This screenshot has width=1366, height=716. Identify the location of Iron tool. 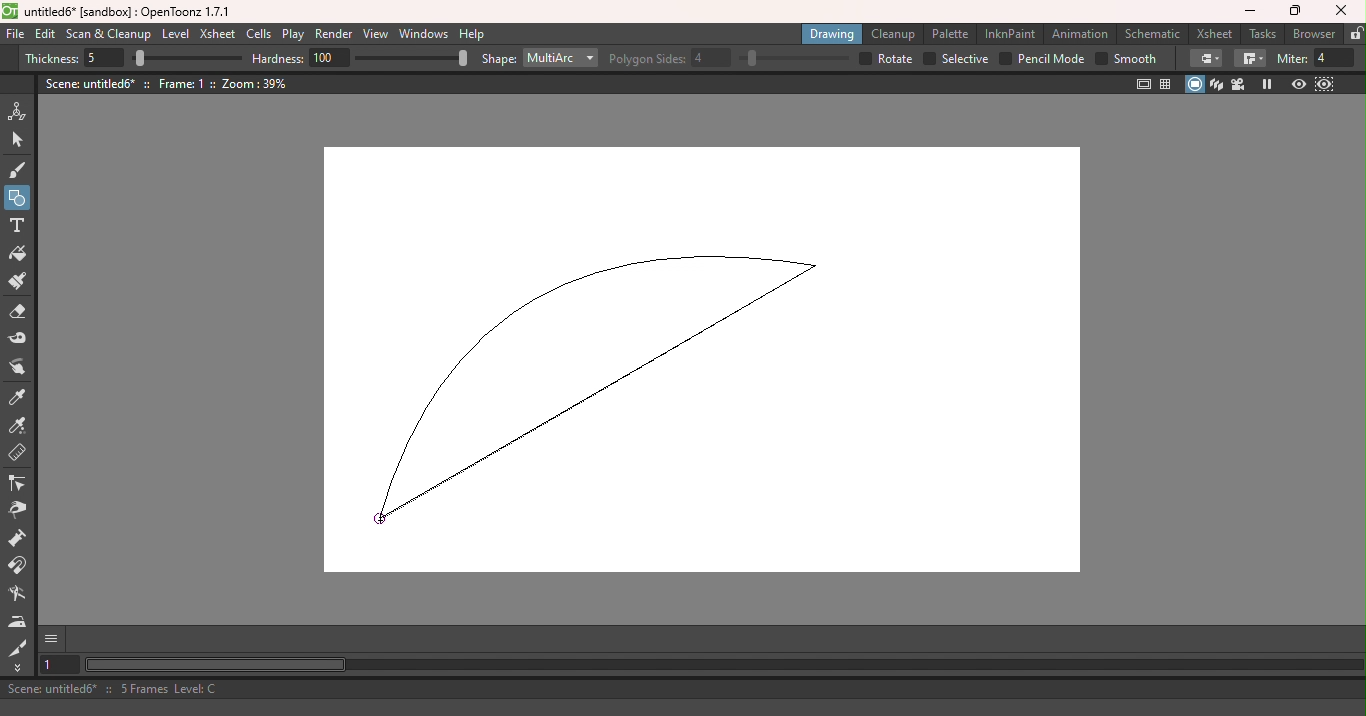
(18, 623).